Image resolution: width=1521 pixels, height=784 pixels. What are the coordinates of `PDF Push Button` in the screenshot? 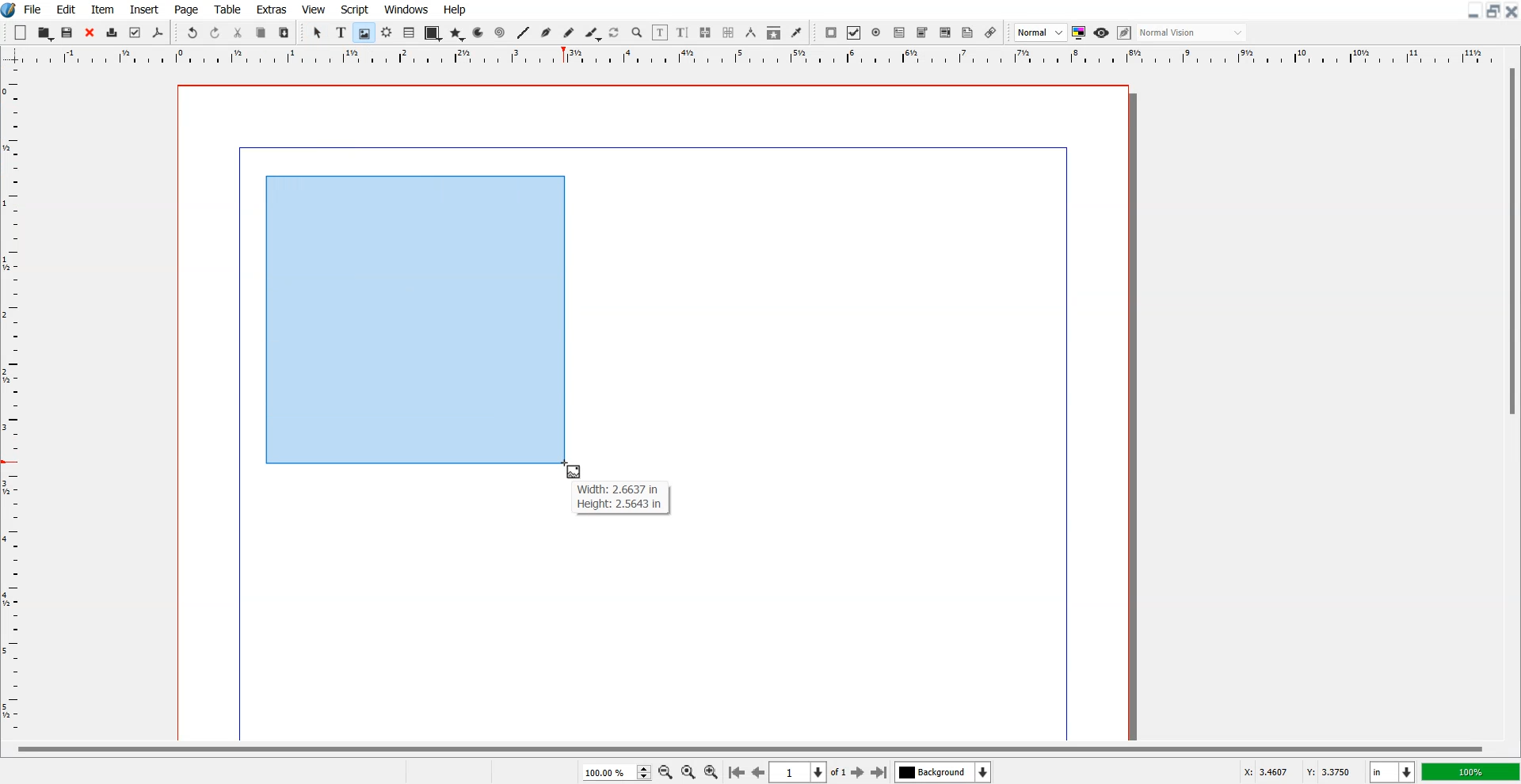 It's located at (832, 32).